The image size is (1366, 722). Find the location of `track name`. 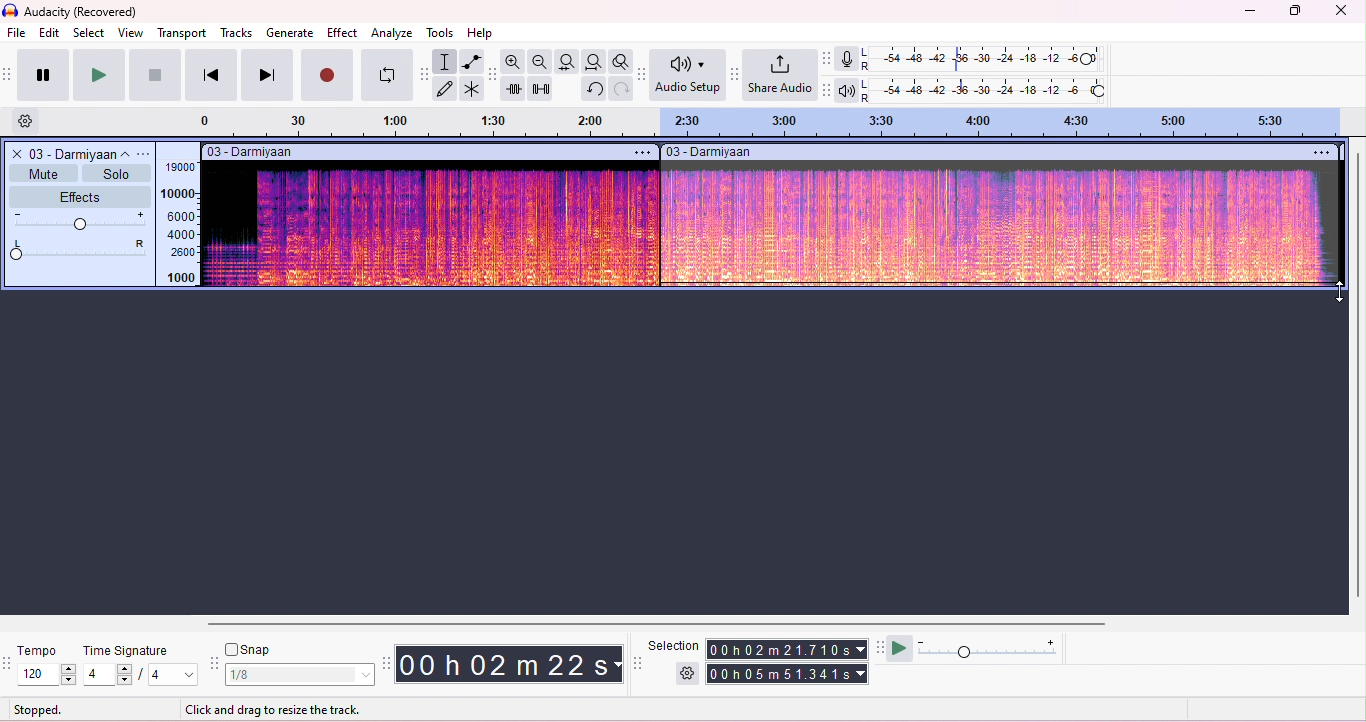

track name is located at coordinates (82, 153).